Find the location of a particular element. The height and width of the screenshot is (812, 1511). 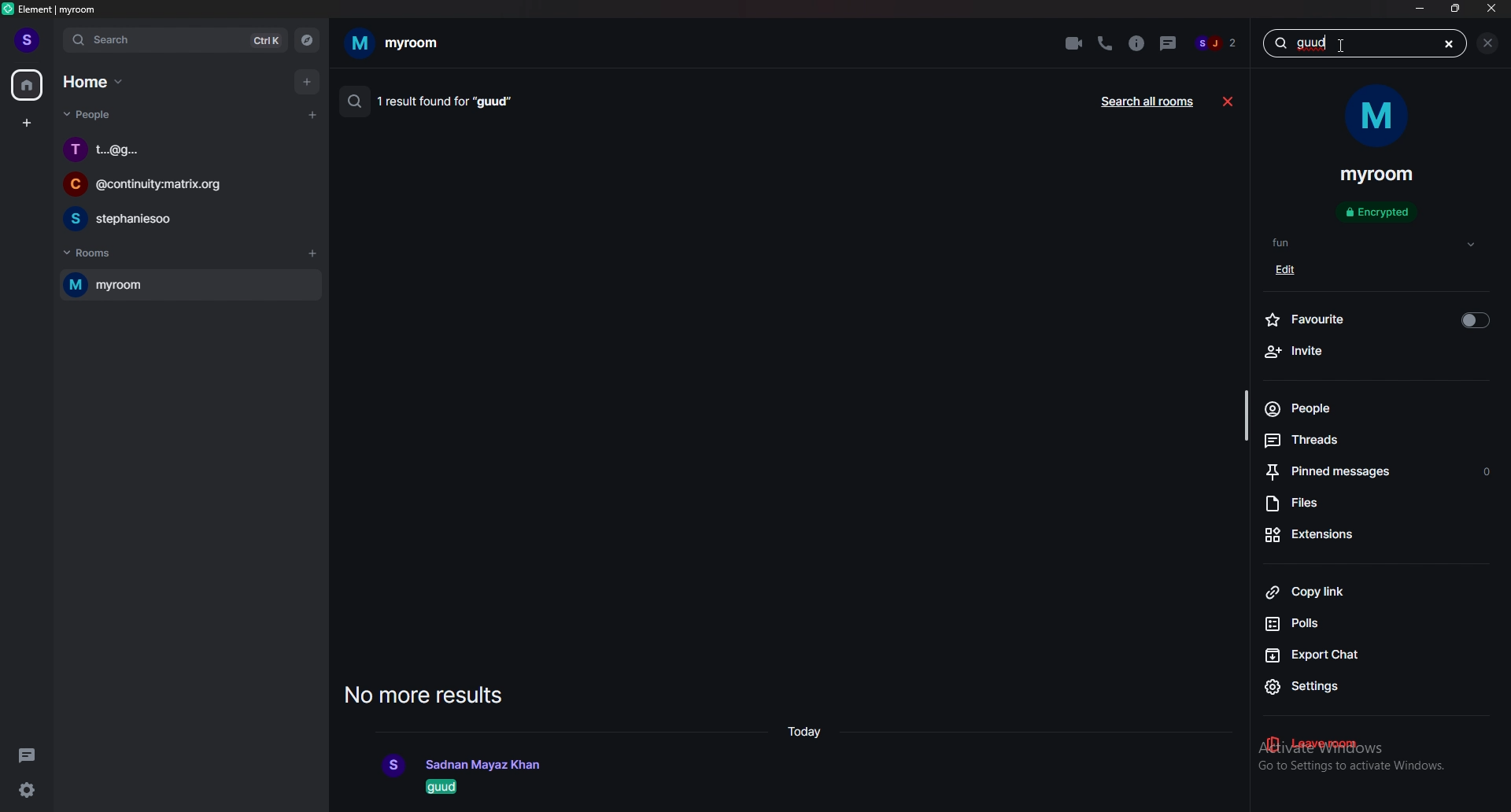

cursor is located at coordinates (1337, 46).